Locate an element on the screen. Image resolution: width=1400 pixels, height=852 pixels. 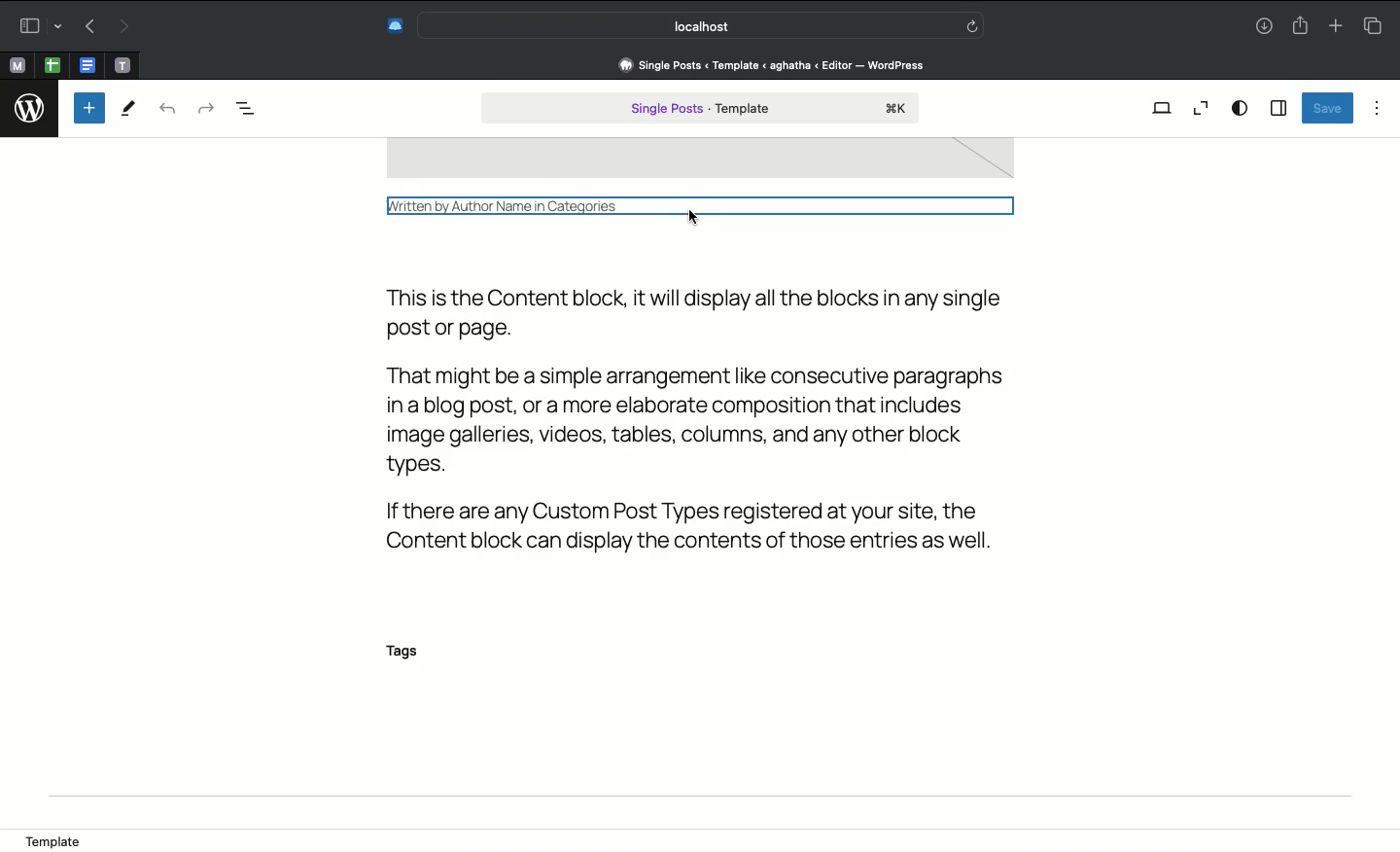
Save is located at coordinates (1326, 108).